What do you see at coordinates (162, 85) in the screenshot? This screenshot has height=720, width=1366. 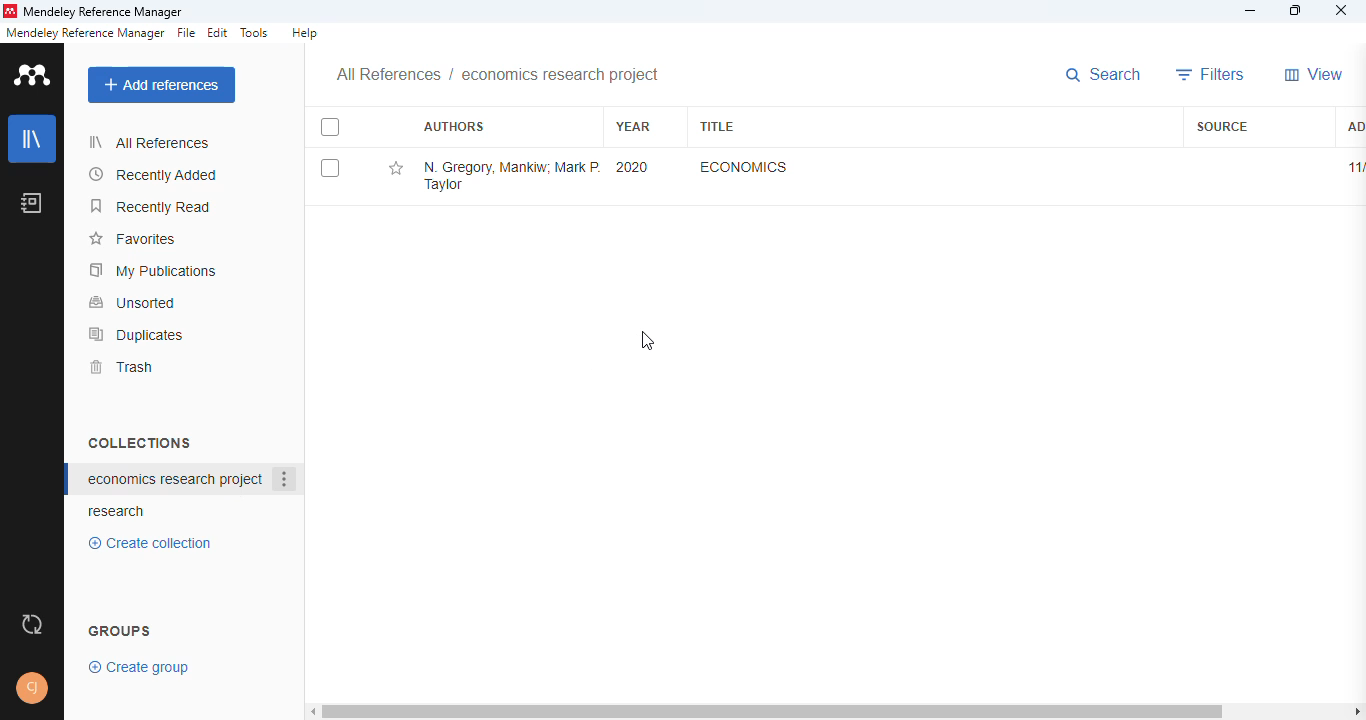 I see `add references` at bounding box center [162, 85].